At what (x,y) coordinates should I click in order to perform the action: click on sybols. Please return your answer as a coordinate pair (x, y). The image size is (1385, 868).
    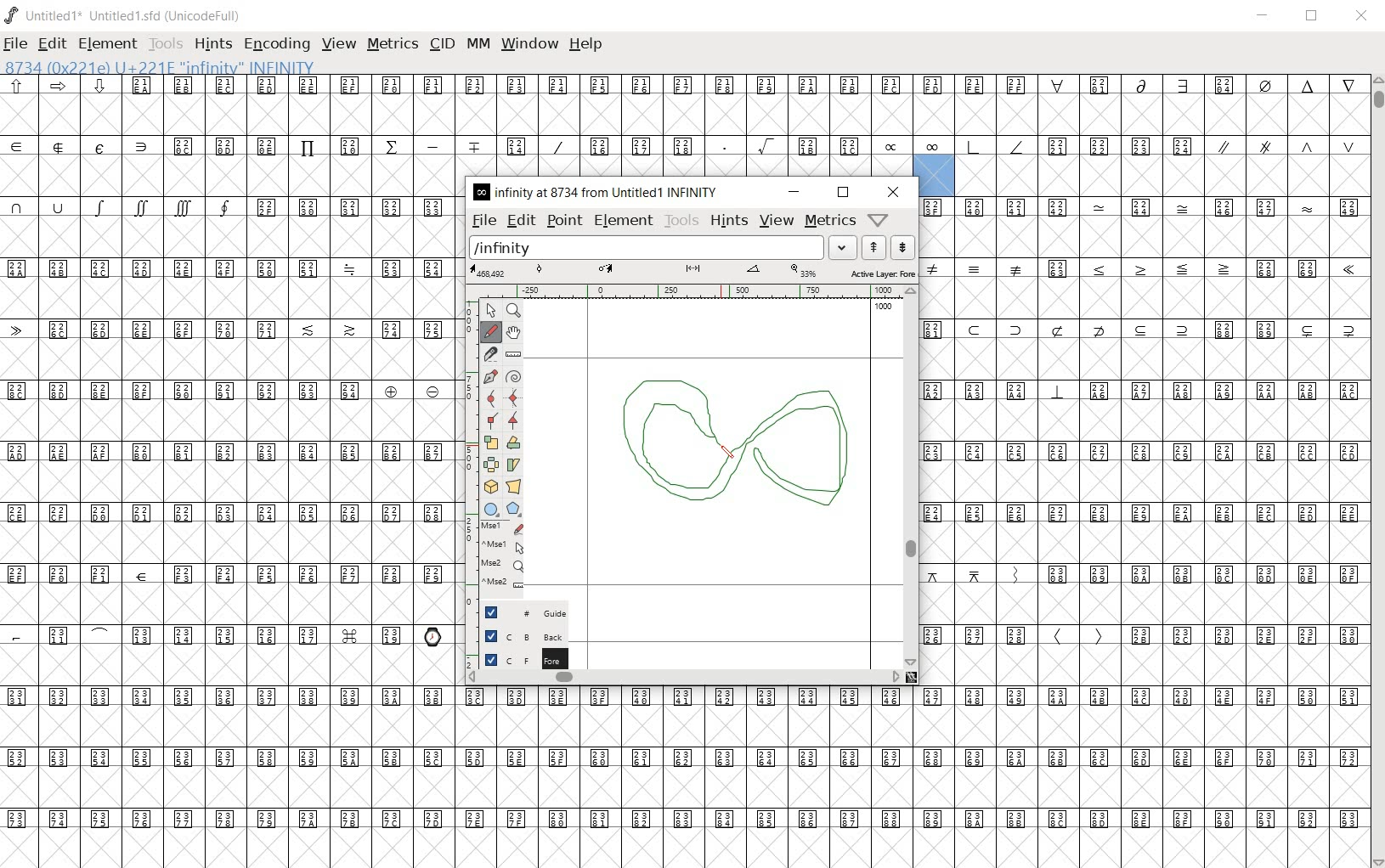
    Looking at the image, I should click on (65, 85).